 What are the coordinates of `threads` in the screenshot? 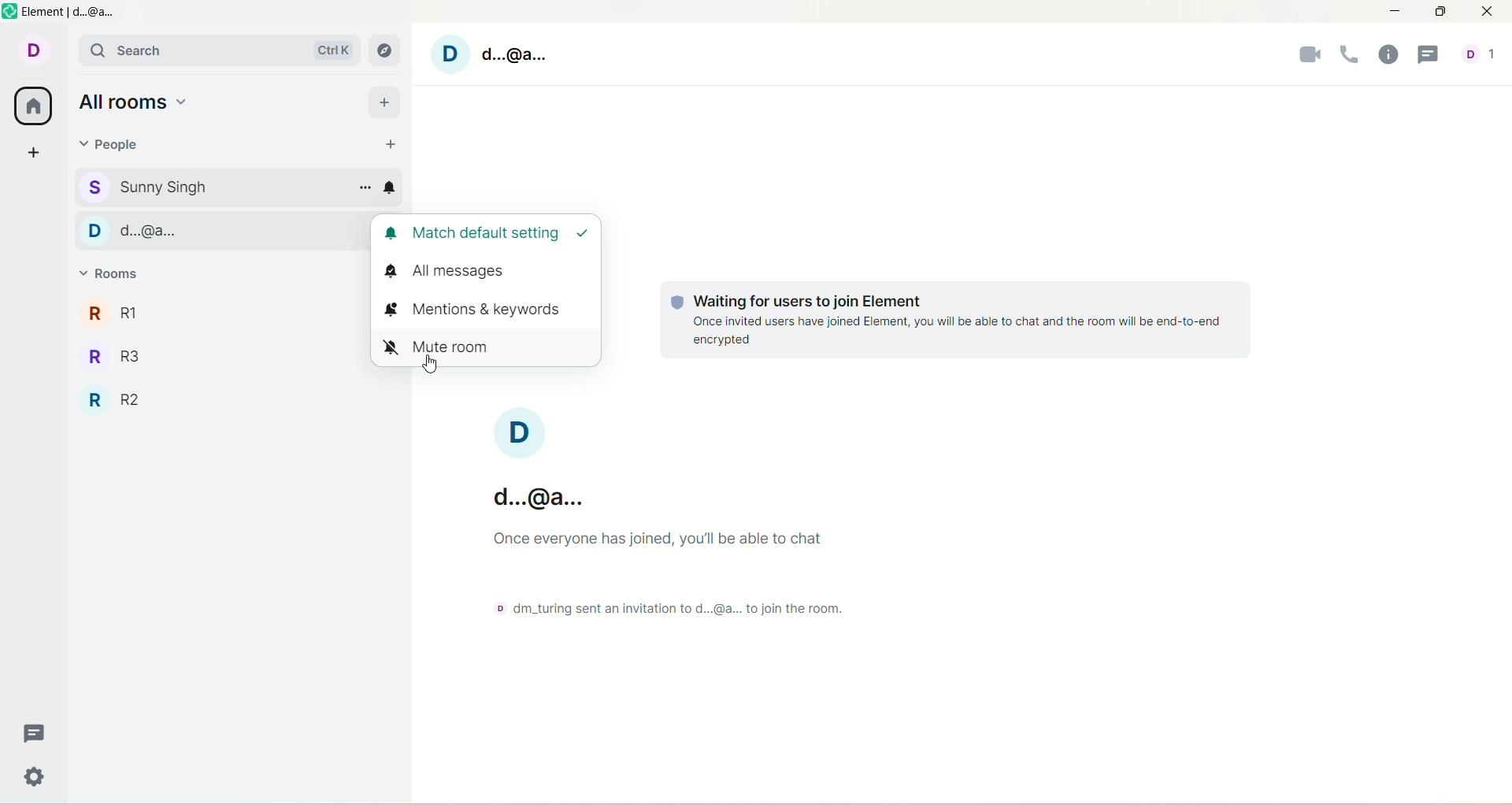 It's located at (1428, 54).